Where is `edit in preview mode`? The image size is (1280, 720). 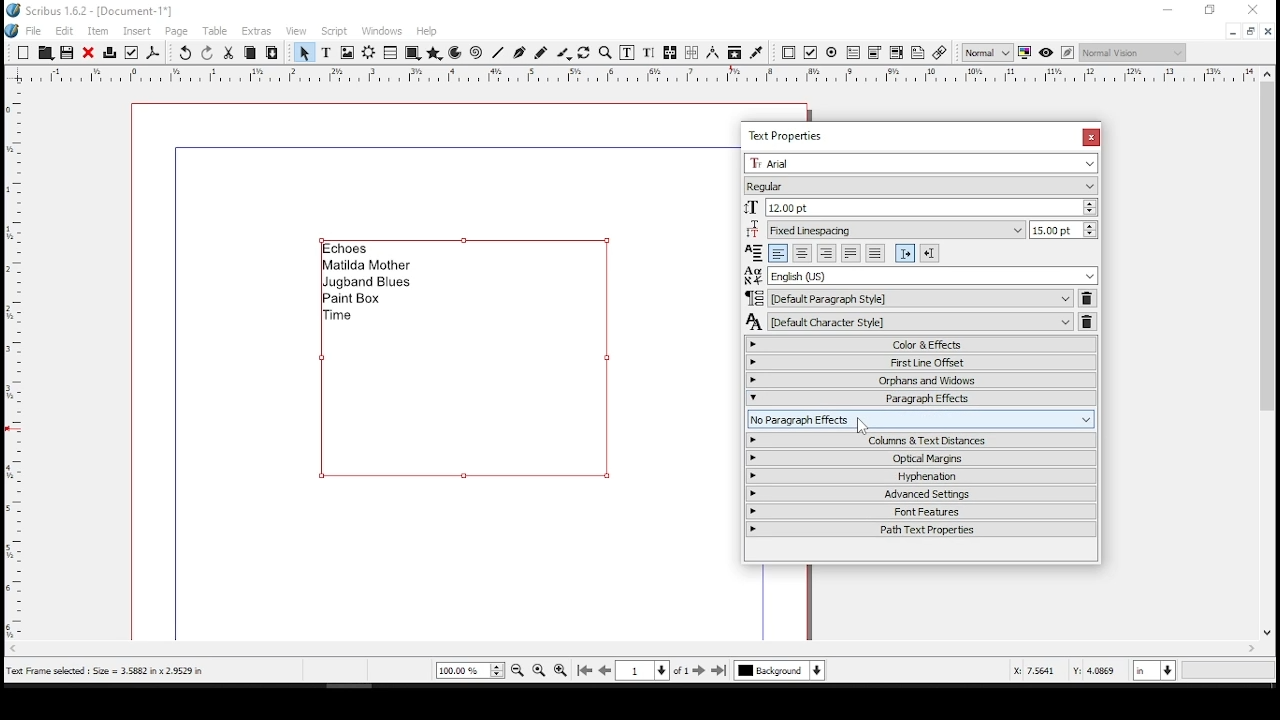
edit in preview mode is located at coordinates (1070, 53).